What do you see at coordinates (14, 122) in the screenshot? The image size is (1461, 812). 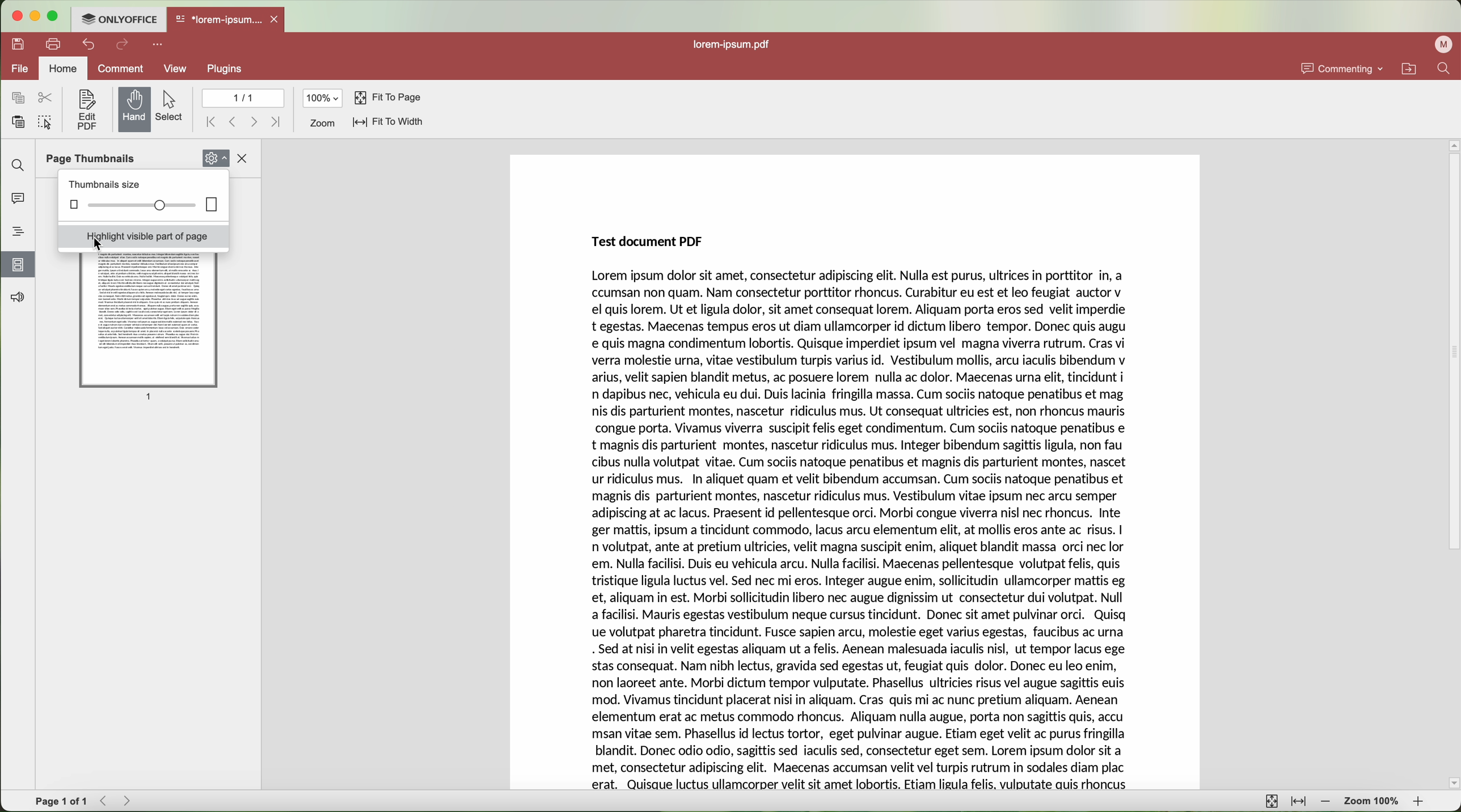 I see `paste` at bounding box center [14, 122].